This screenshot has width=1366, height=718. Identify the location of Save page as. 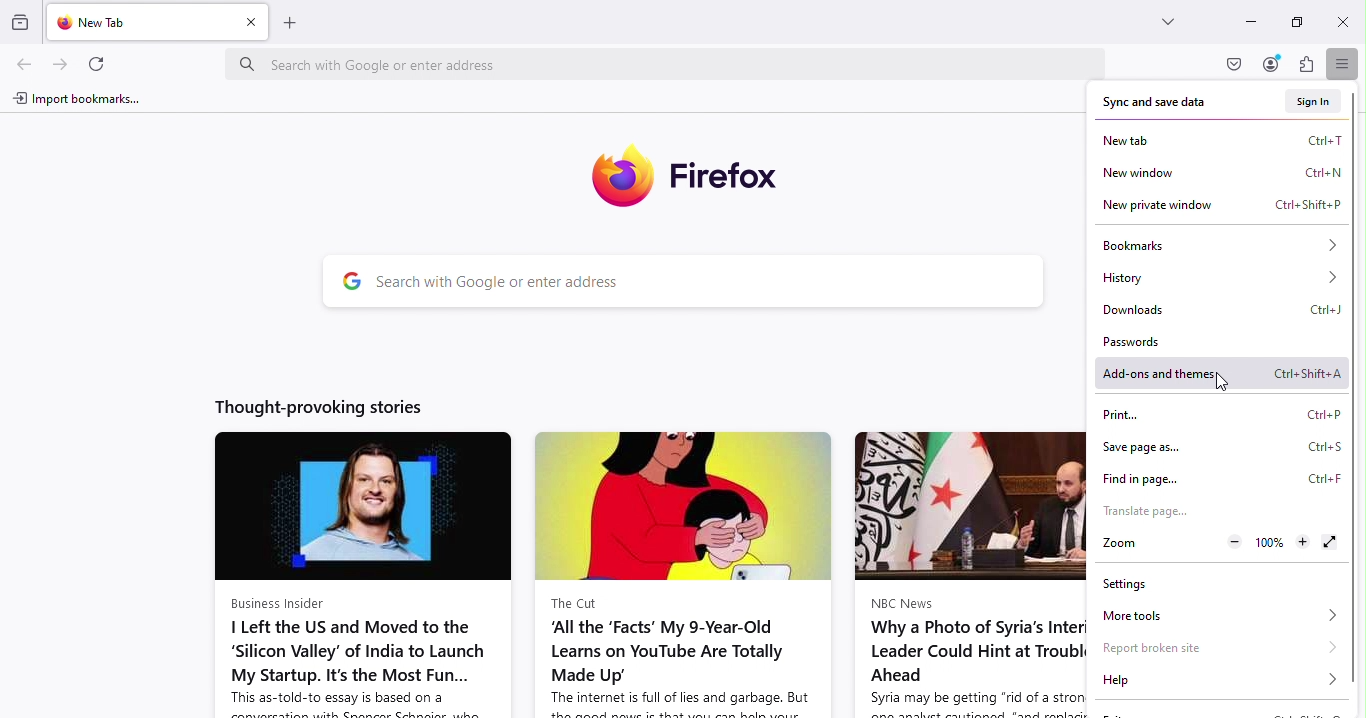
(1220, 447).